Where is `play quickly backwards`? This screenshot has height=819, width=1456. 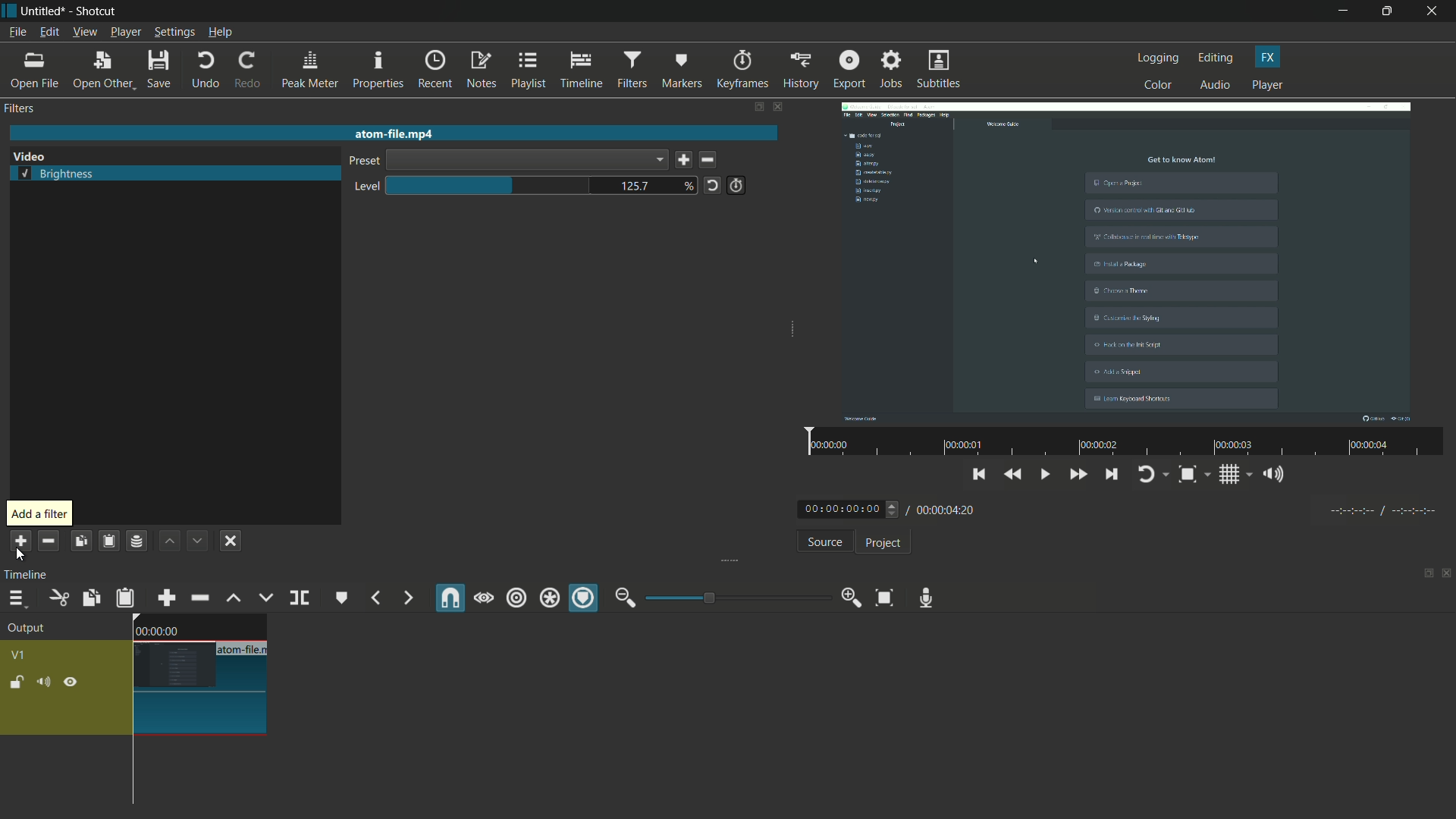
play quickly backwards is located at coordinates (1014, 475).